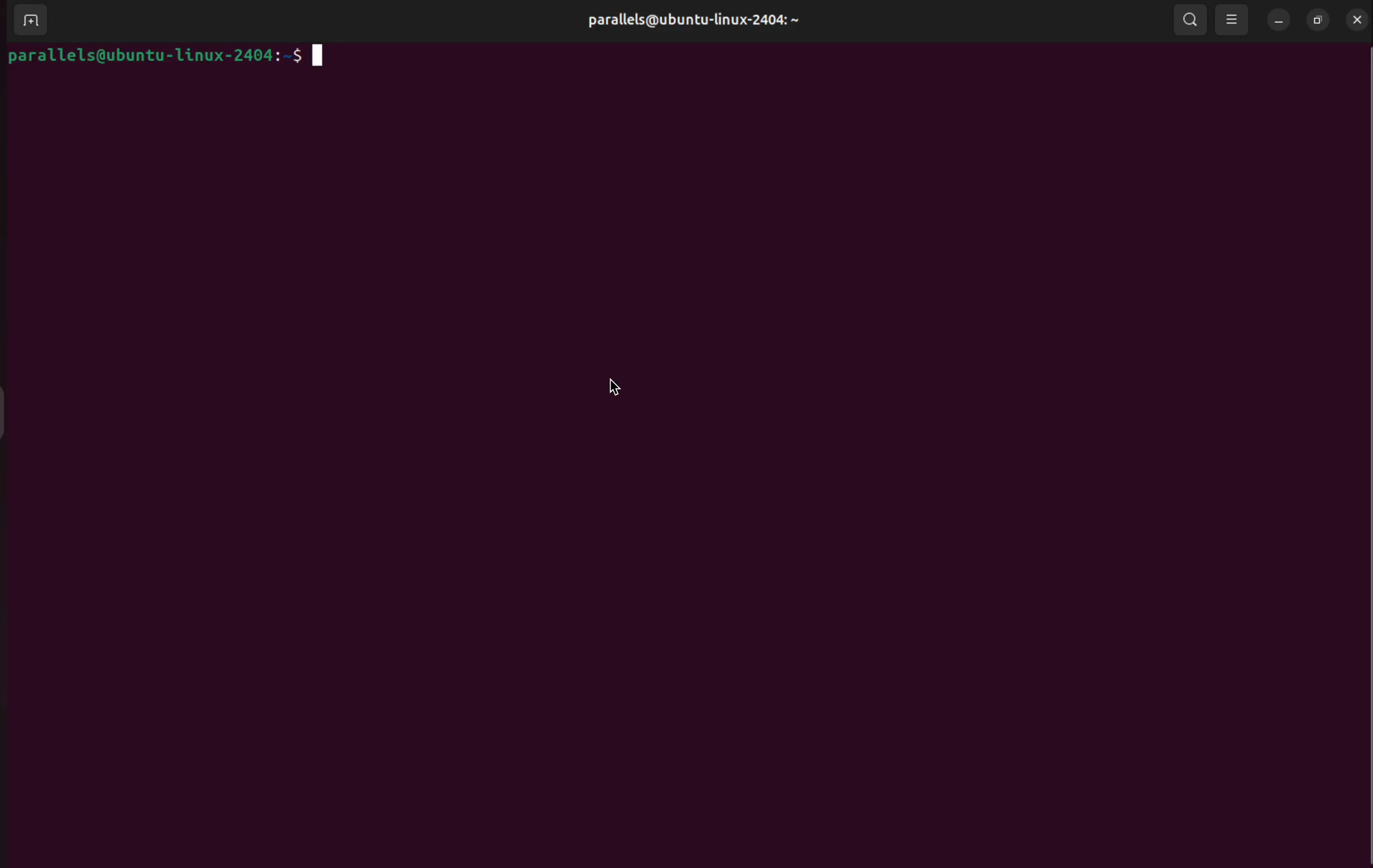  Describe the element at coordinates (683, 17) in the screenshot. I see `parallels` at that location.